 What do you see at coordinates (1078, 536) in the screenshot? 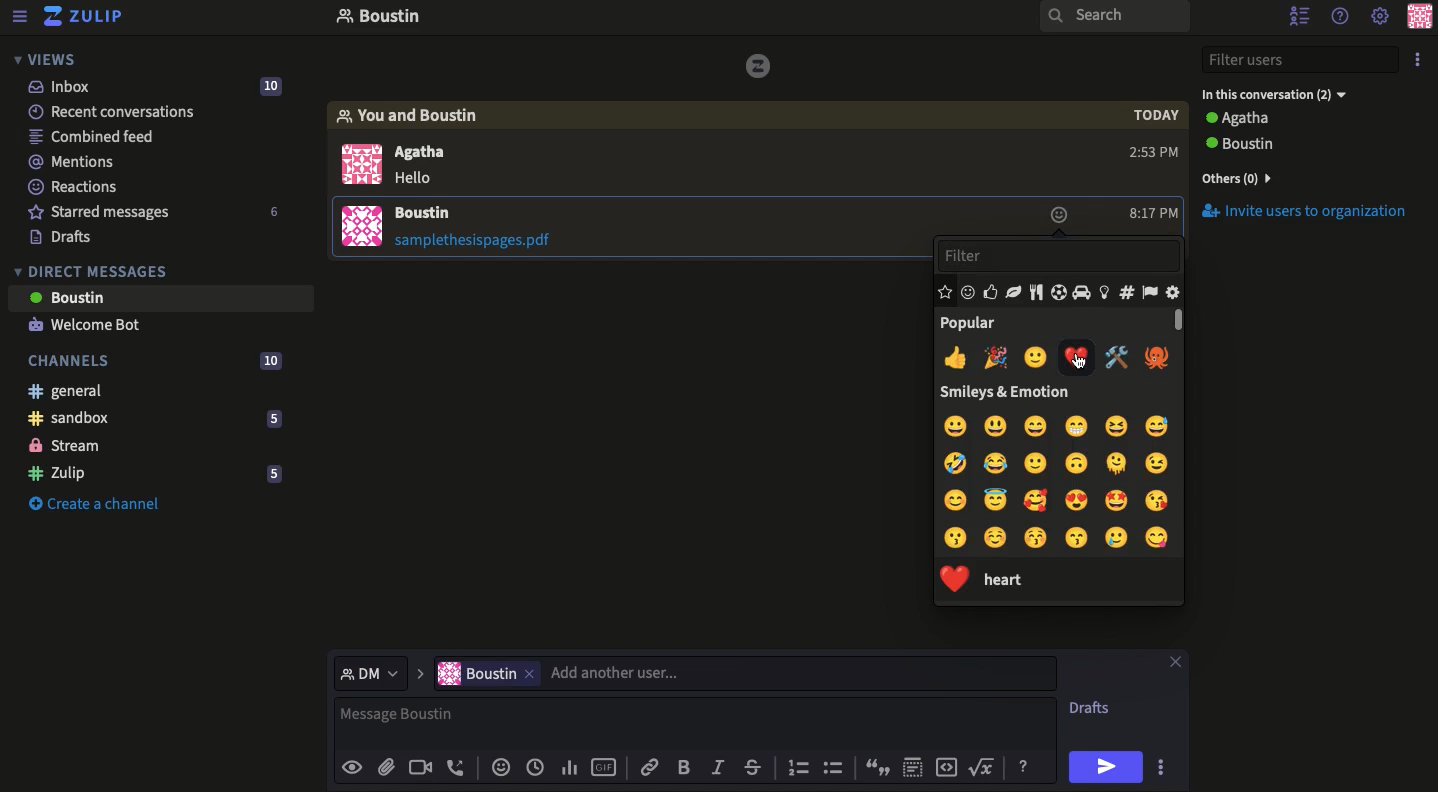
I see `kiss smiling eyes` at bounding box center [1078, 536].